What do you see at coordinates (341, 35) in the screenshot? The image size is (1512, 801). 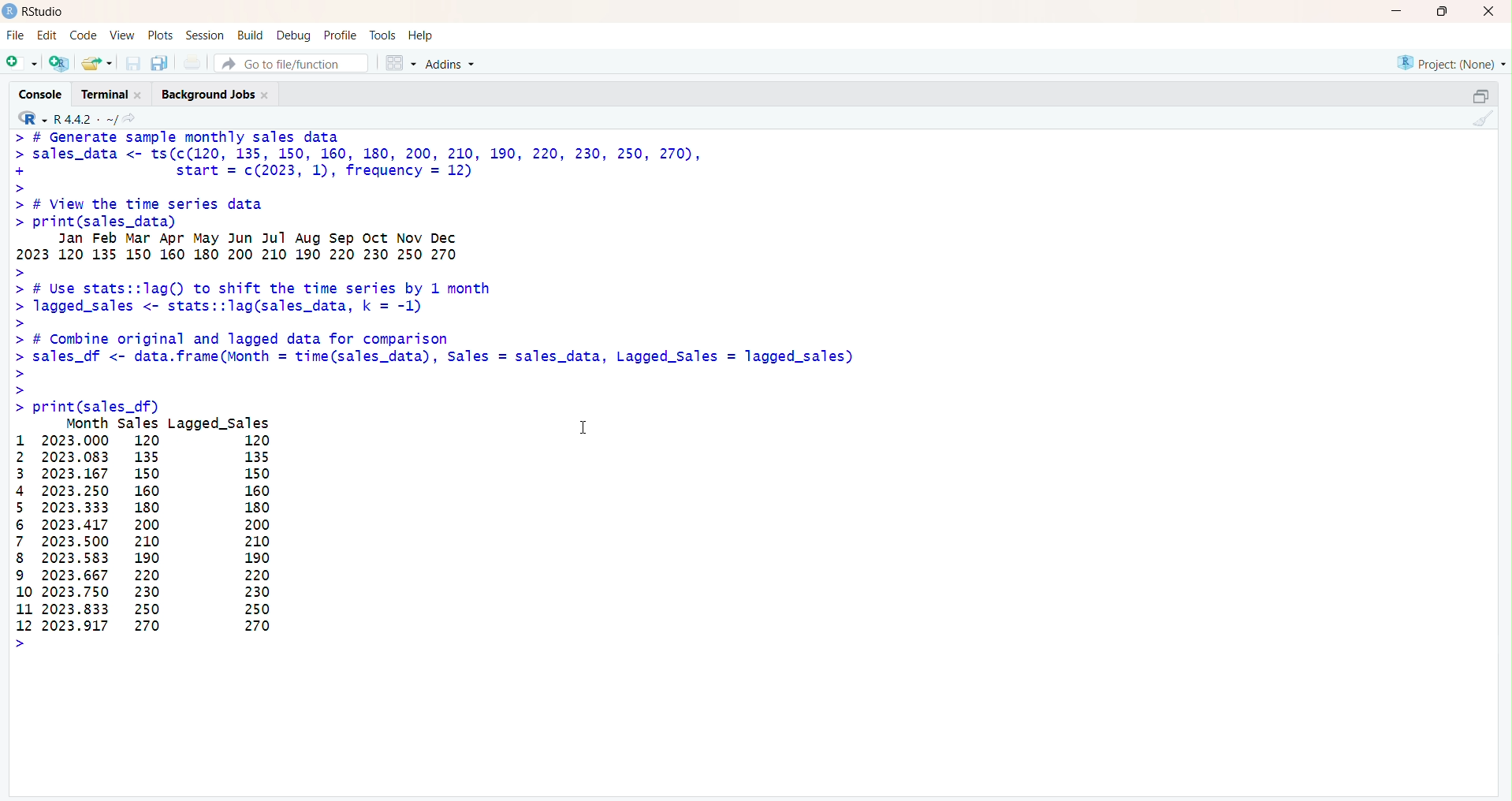 I see `profile` at bounding box center [341, 35].